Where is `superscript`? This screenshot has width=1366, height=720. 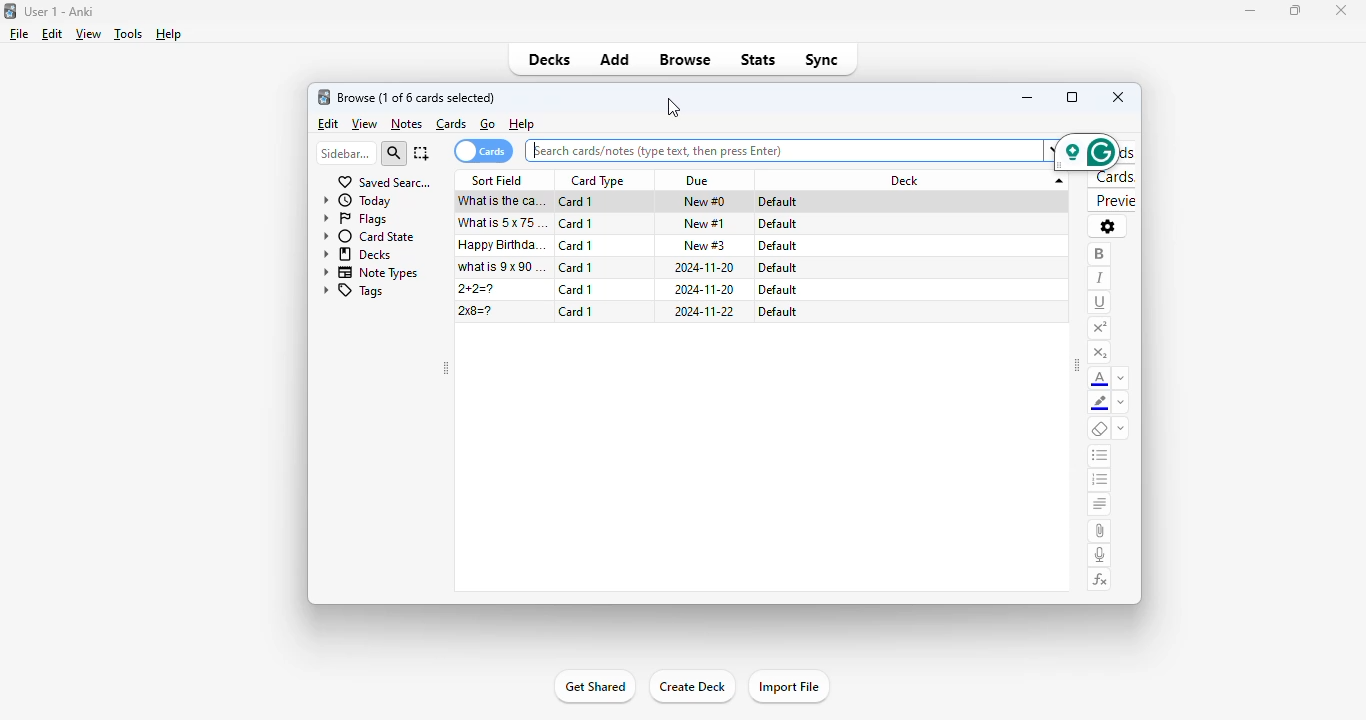
superscript is located at coordinates (1100, 329).